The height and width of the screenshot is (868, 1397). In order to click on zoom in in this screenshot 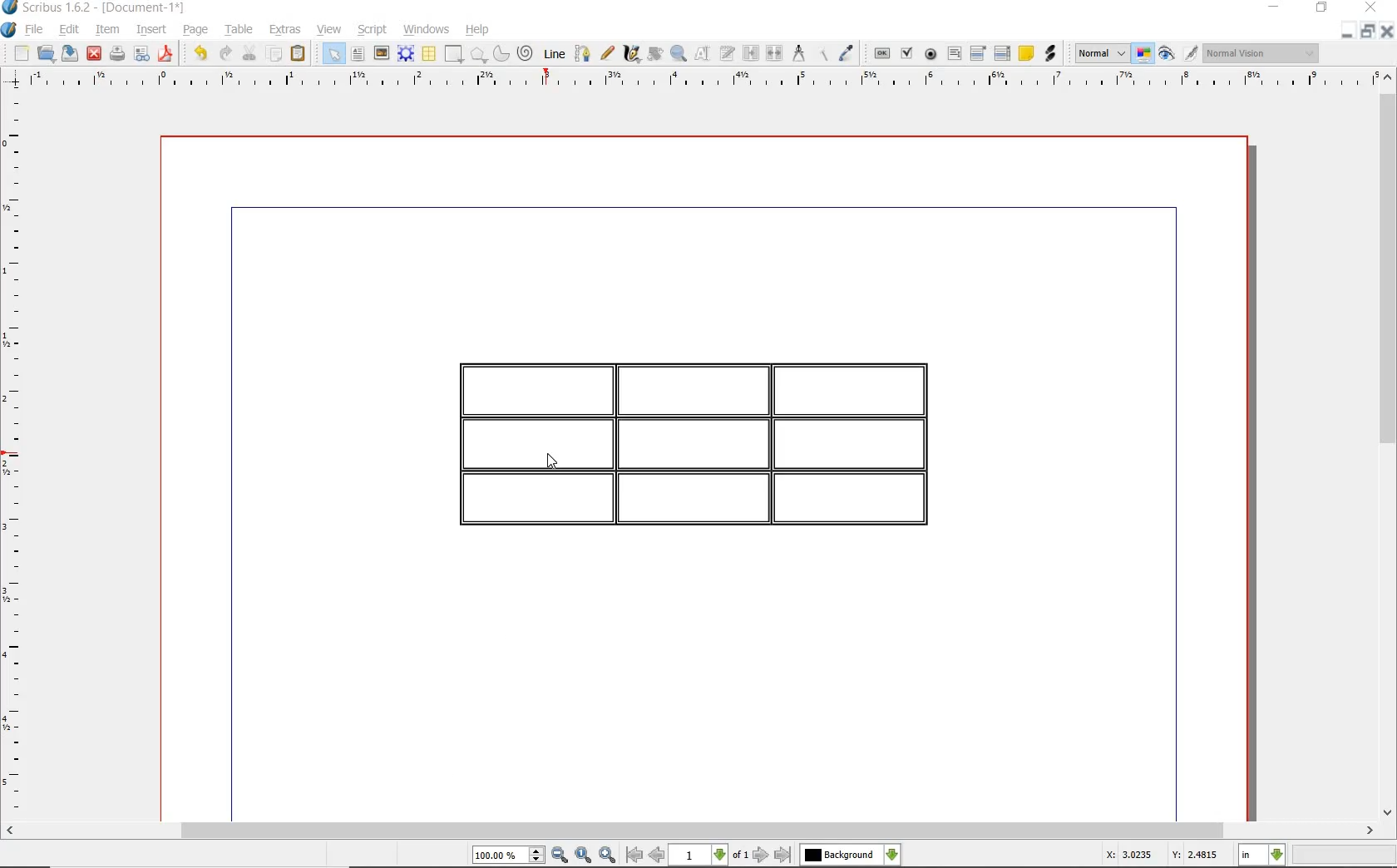, I will do `click(608, 855)`.